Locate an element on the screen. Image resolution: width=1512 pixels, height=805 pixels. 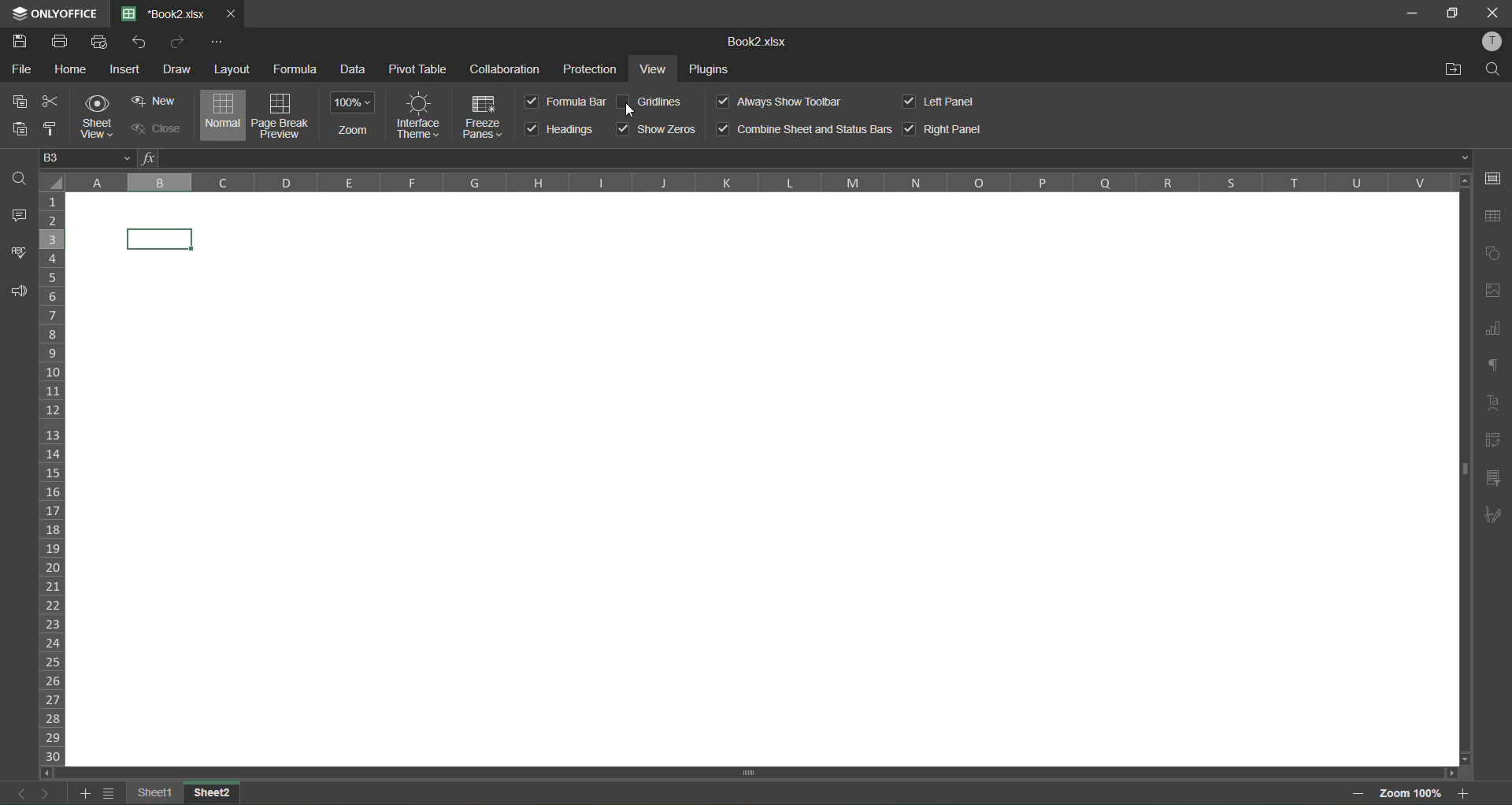
show zeros is located at coordinates (657, 128).